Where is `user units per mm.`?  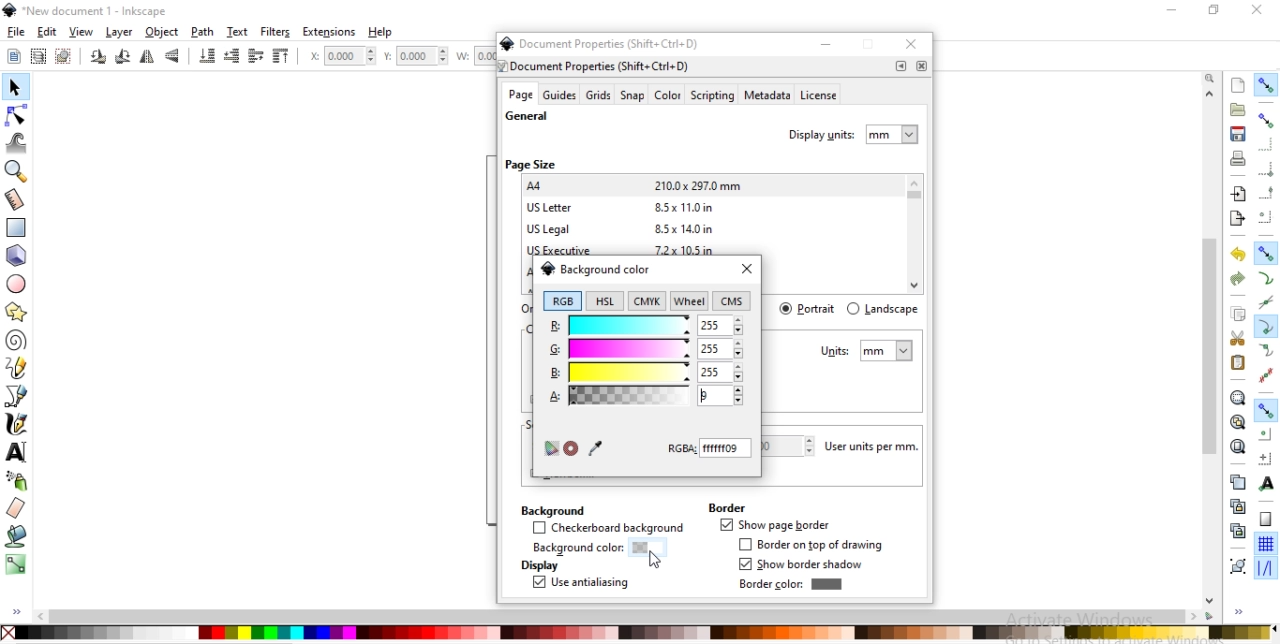 user units per mm. is located at coordinates (877, 447).